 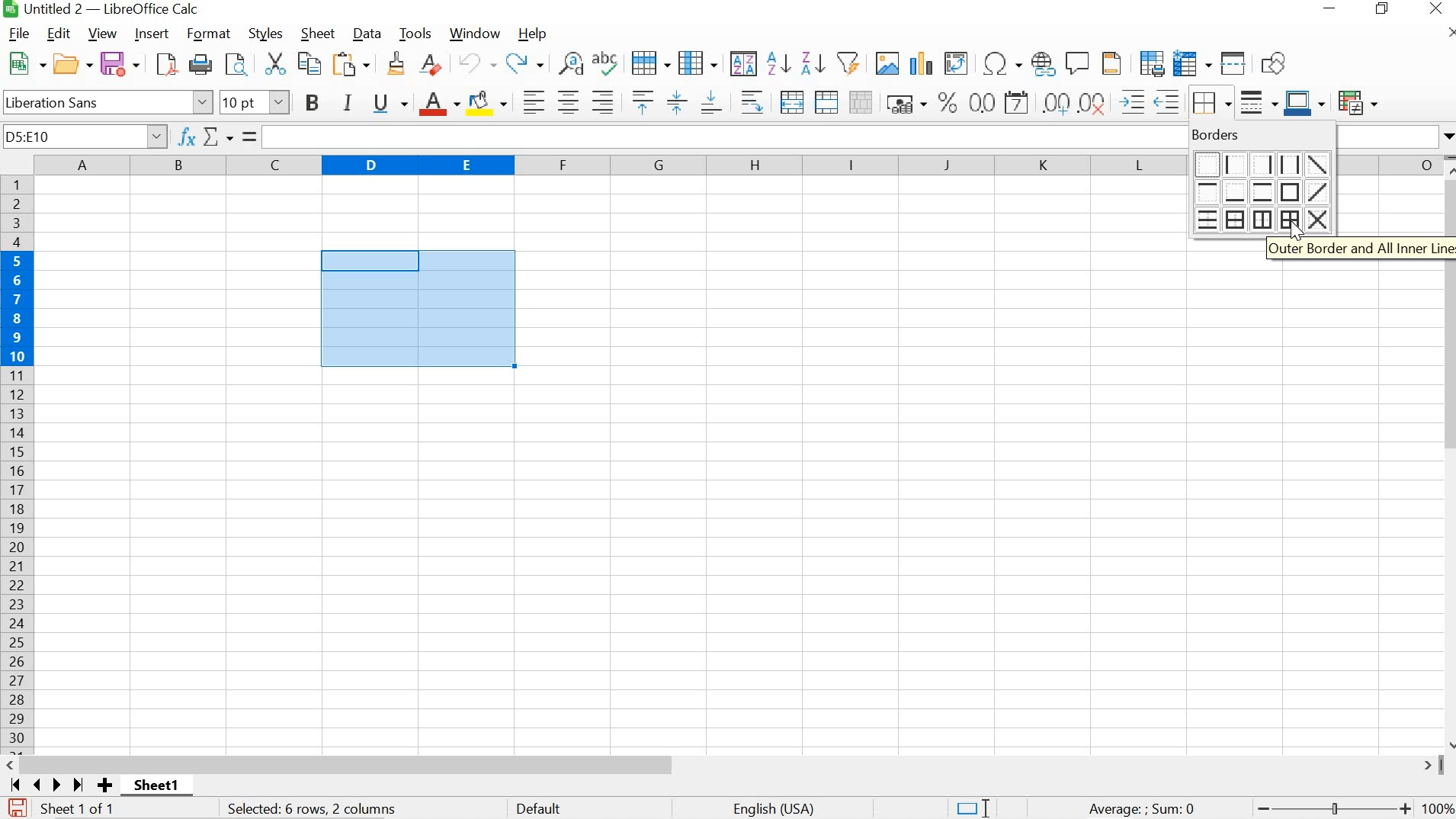 I want to click on FORMAT AS DATE, so click(x=1018, y=101).